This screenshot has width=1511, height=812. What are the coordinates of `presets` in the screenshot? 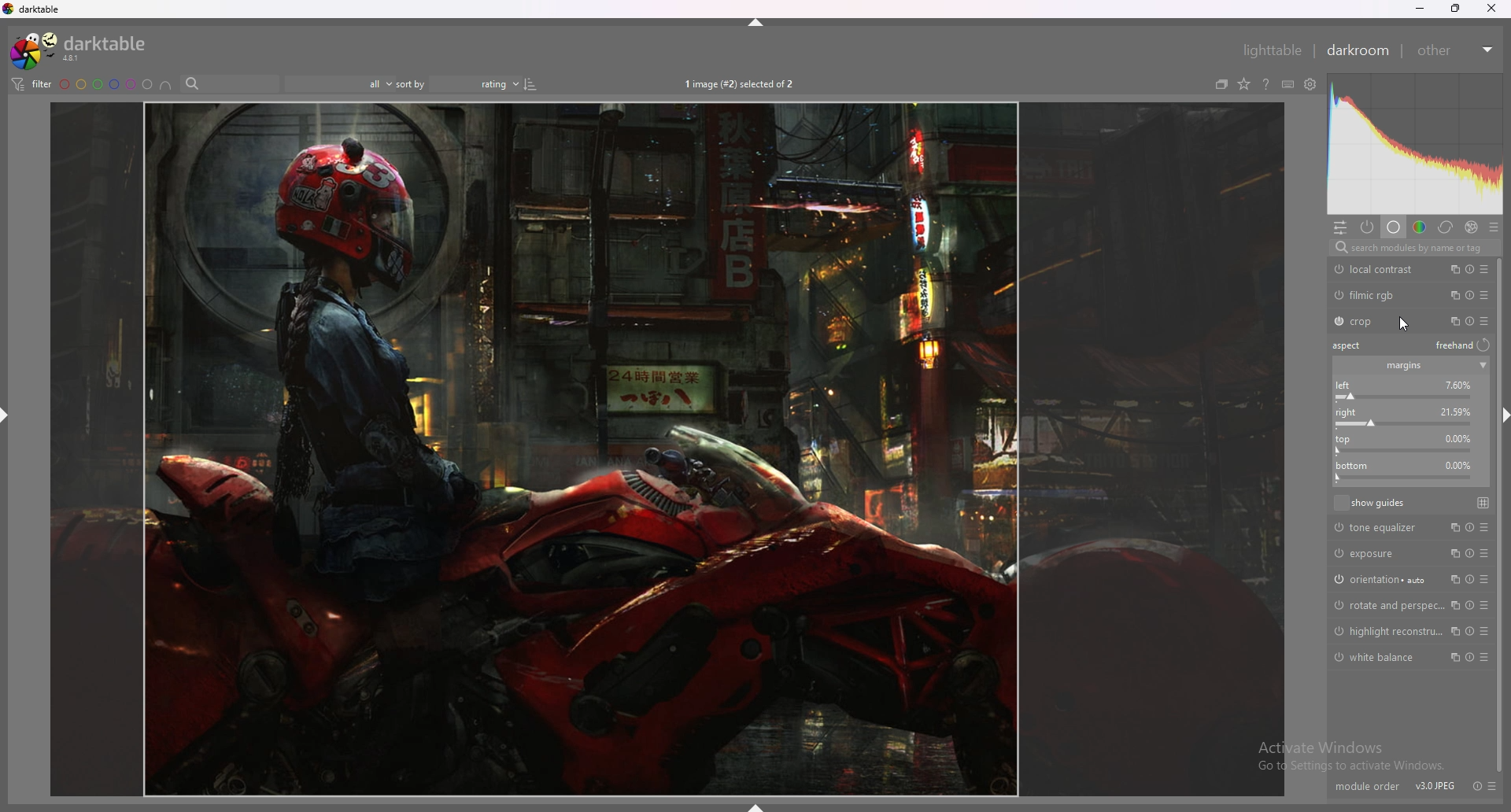 It's located at (1485, 580).